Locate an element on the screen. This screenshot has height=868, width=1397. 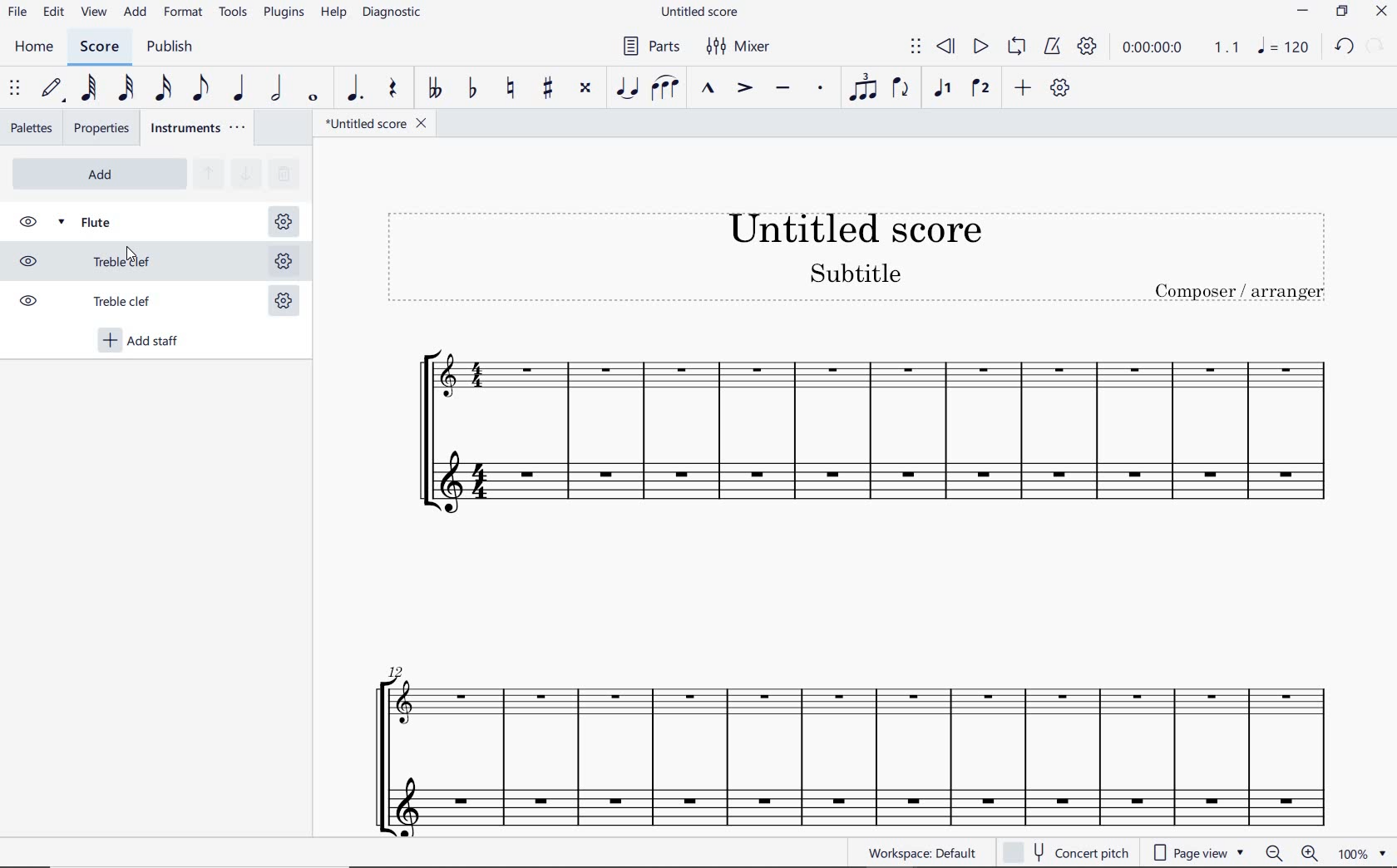
FLIP DIRECTION is located at coordinates (901, 91).